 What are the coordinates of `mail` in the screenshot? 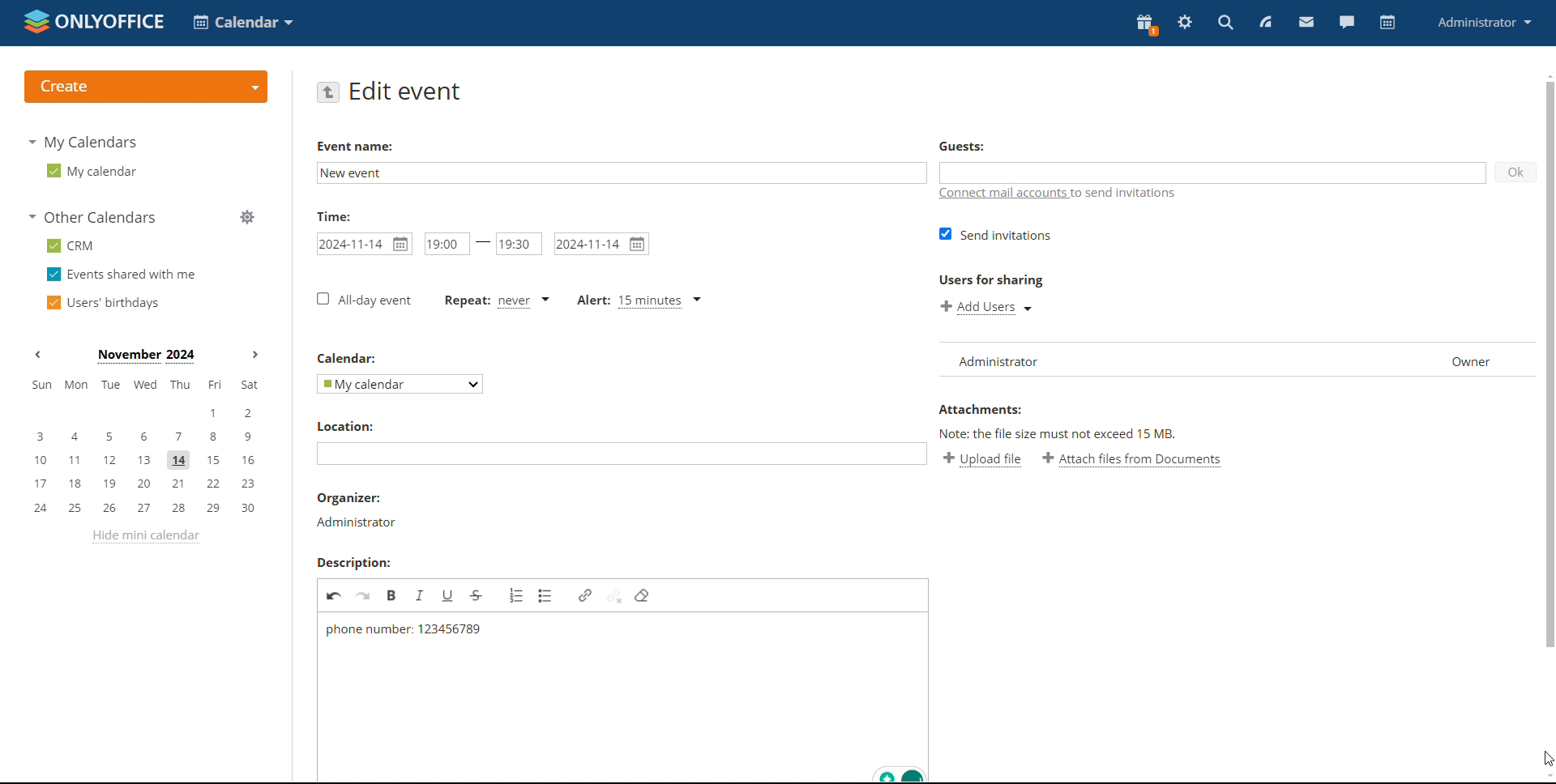 It's located at (1306, 23).